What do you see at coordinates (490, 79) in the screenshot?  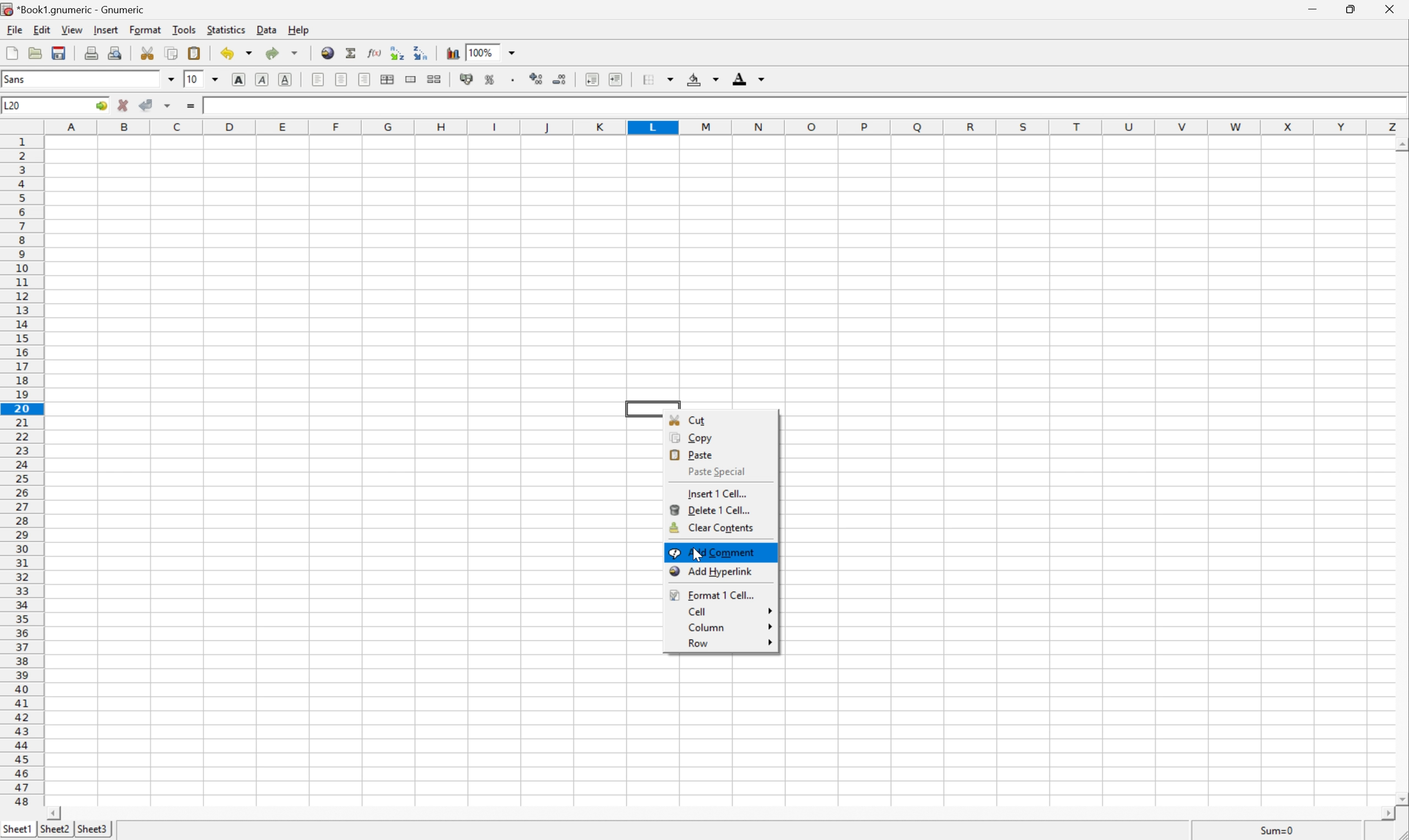 I see `Format the selection as percentage` at bounding box center [490, 79].